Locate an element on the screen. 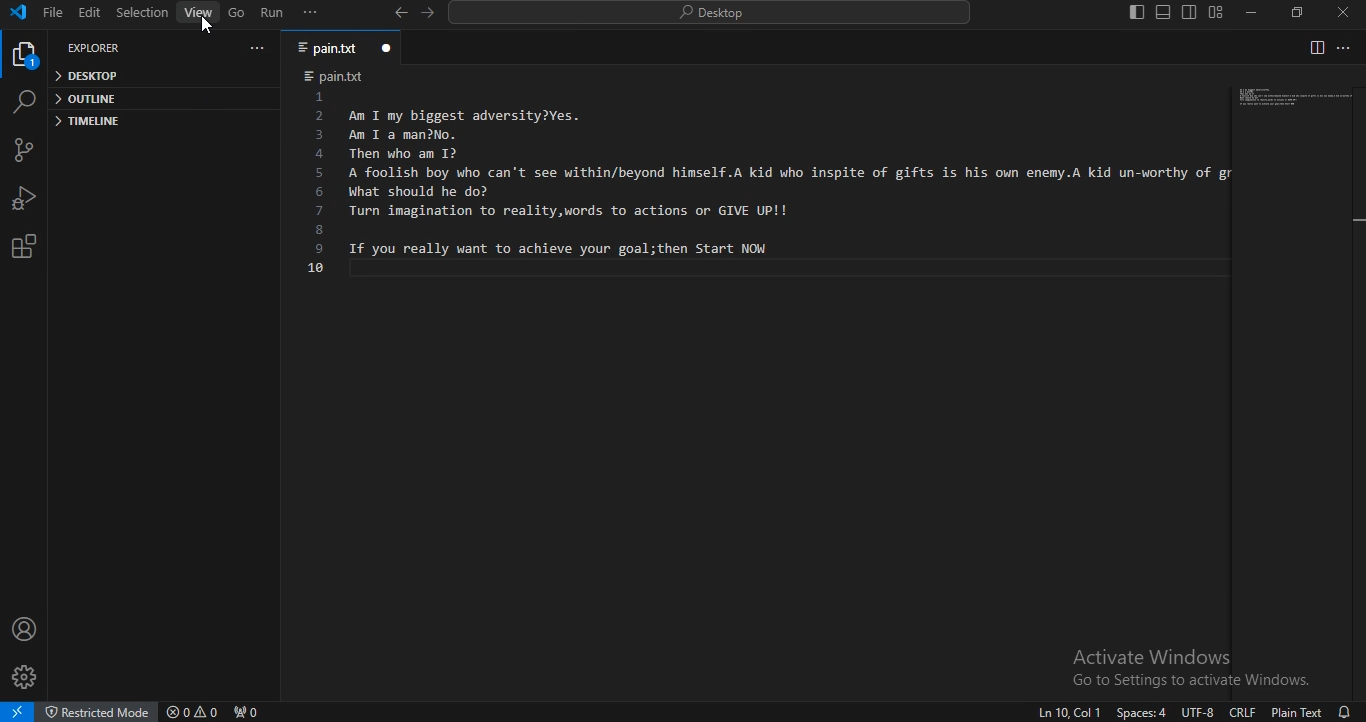 This screenshot has height=722, width=1366. source control is located at coordinates (22, 149).